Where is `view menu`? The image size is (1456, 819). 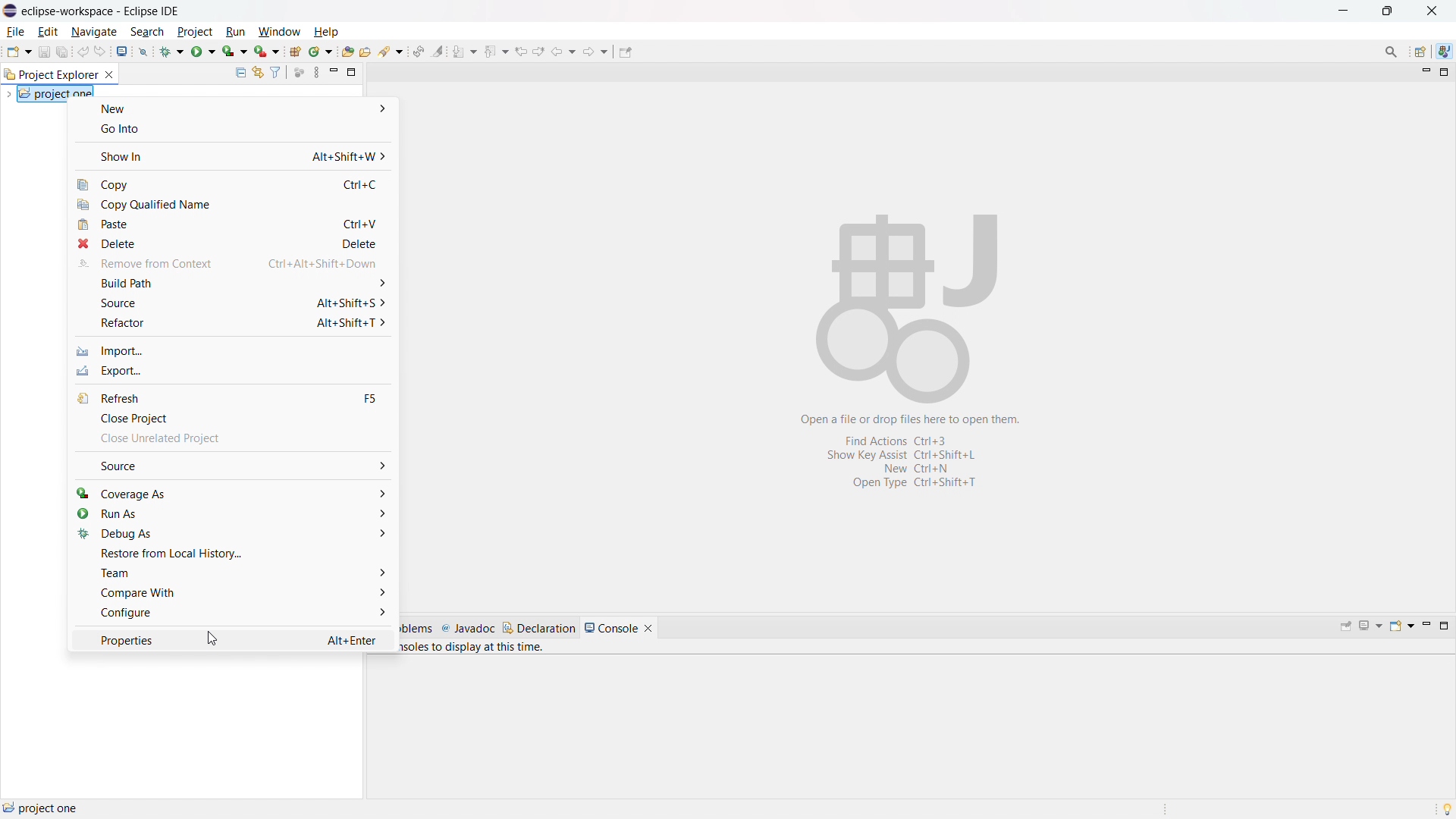
view menu is located at coordinates (316, 72).